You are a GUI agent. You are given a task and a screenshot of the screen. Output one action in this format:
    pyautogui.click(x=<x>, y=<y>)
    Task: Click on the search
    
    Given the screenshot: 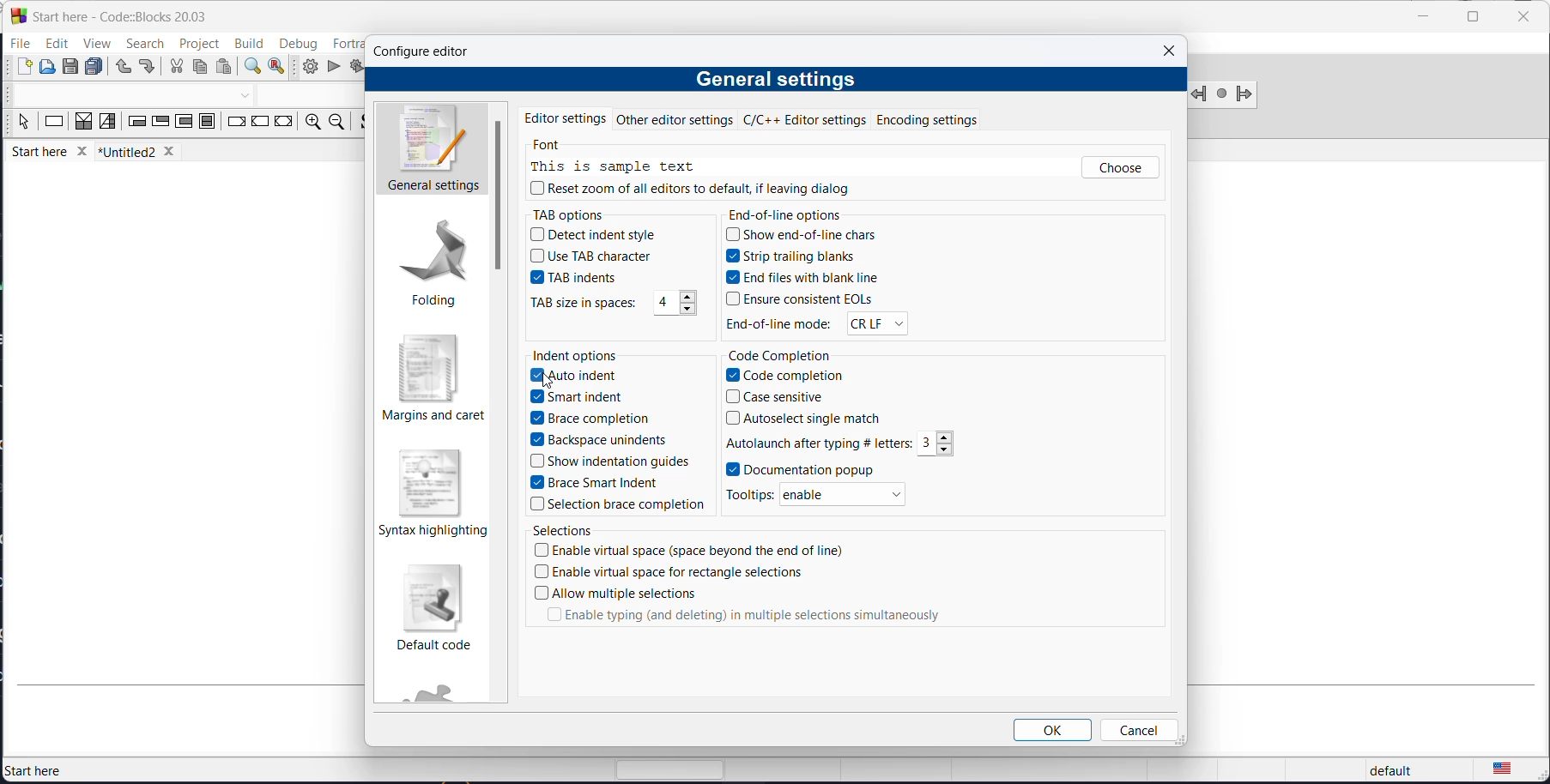 What is the action you would take?
    pyautogui.click(x=145, y=43)
    